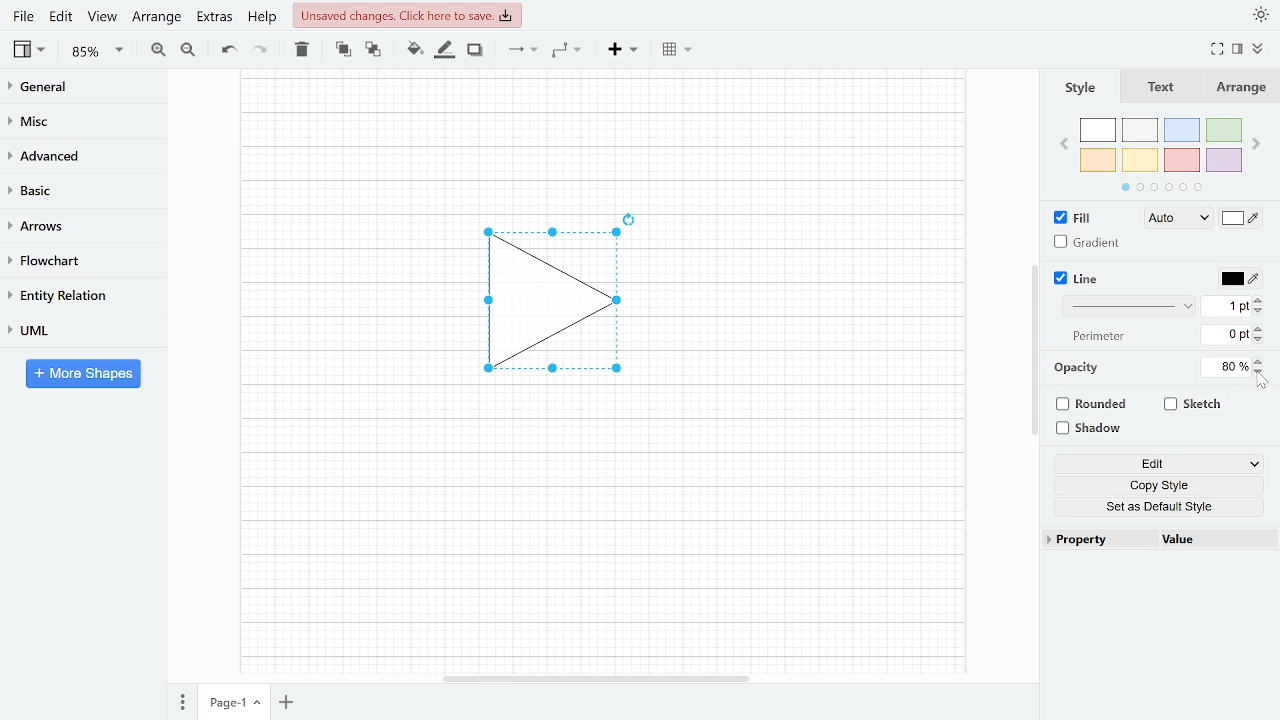  What do you see at coordinates (1239, 87) in the screenshot?
I see `Arrange` at bounding box center [1239, 87].